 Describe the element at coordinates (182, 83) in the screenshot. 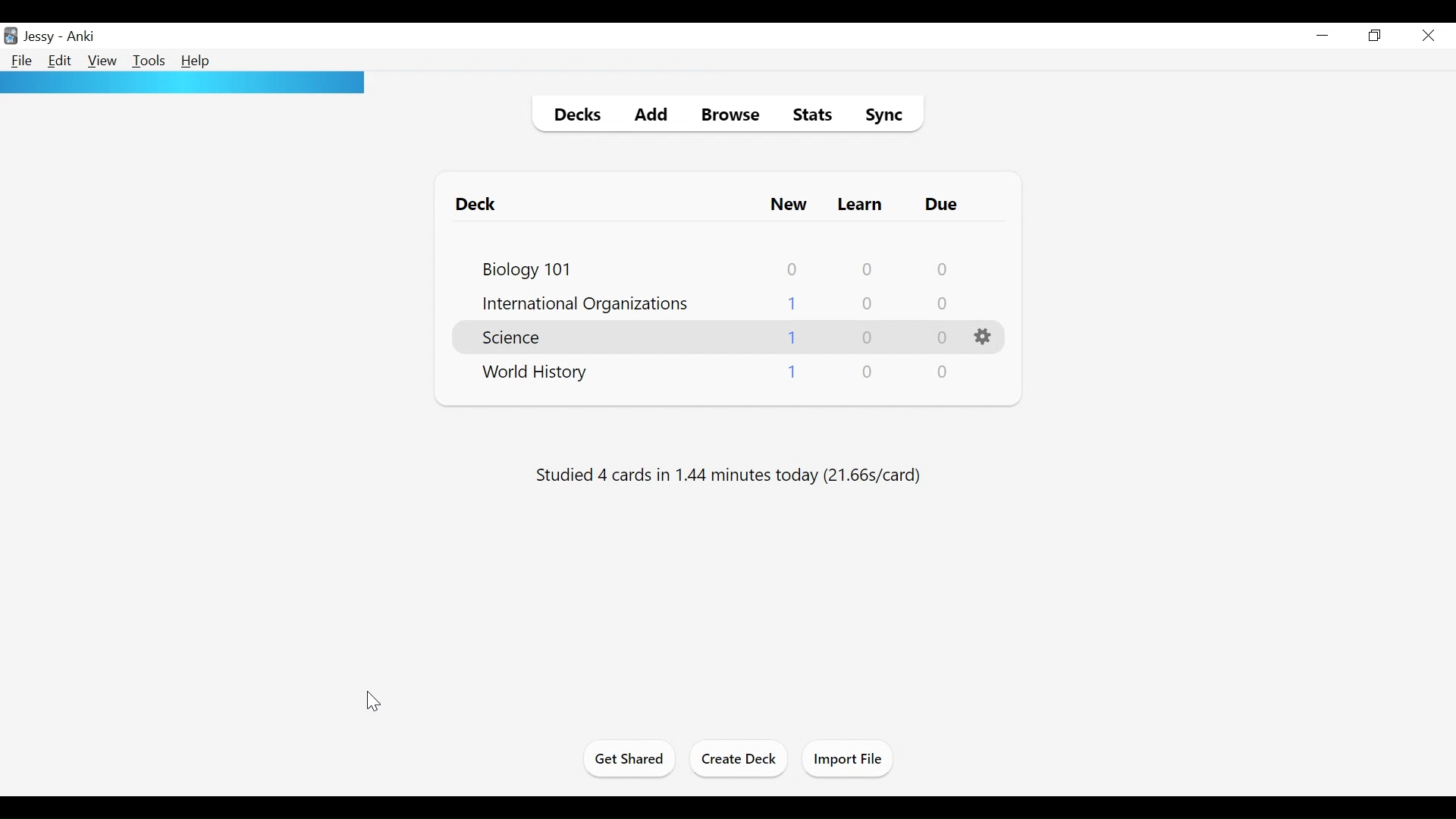

I see `Progress bar` at that location.